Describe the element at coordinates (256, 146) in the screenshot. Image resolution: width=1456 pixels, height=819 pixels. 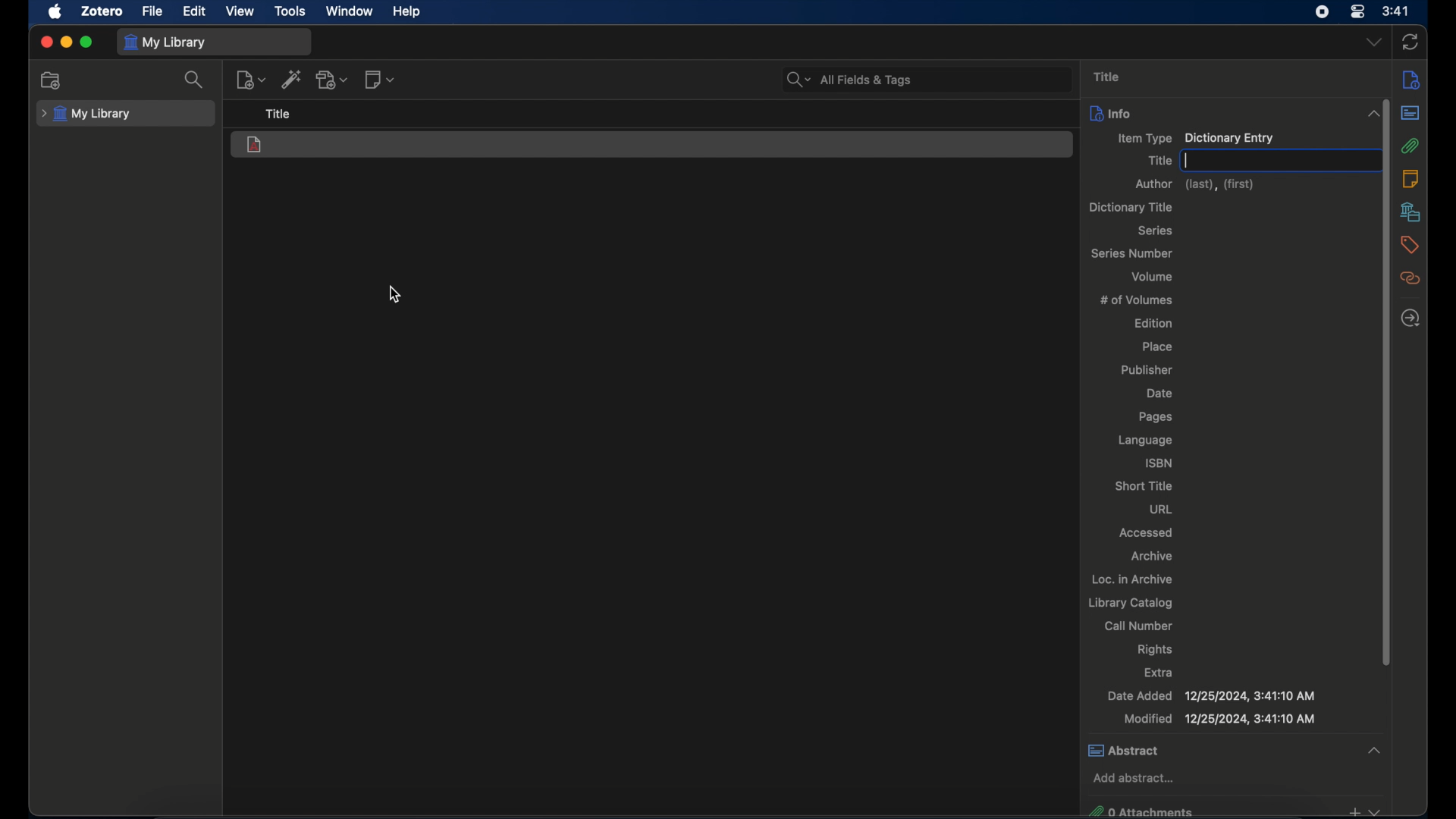
I see `dictionary entry` at that location.